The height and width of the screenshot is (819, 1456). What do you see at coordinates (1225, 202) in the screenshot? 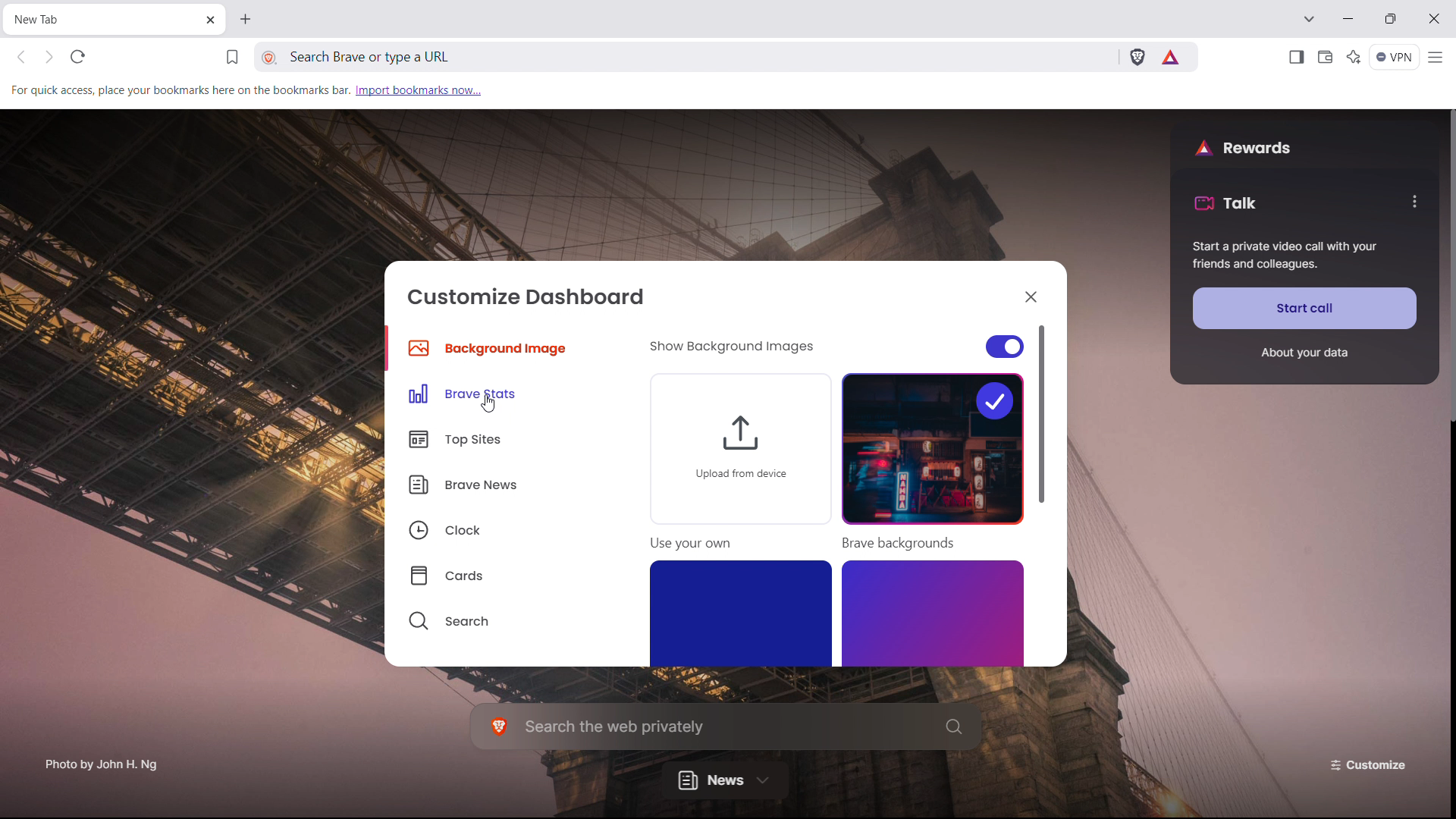
I see `talk` at bounding box center [1225, 202].